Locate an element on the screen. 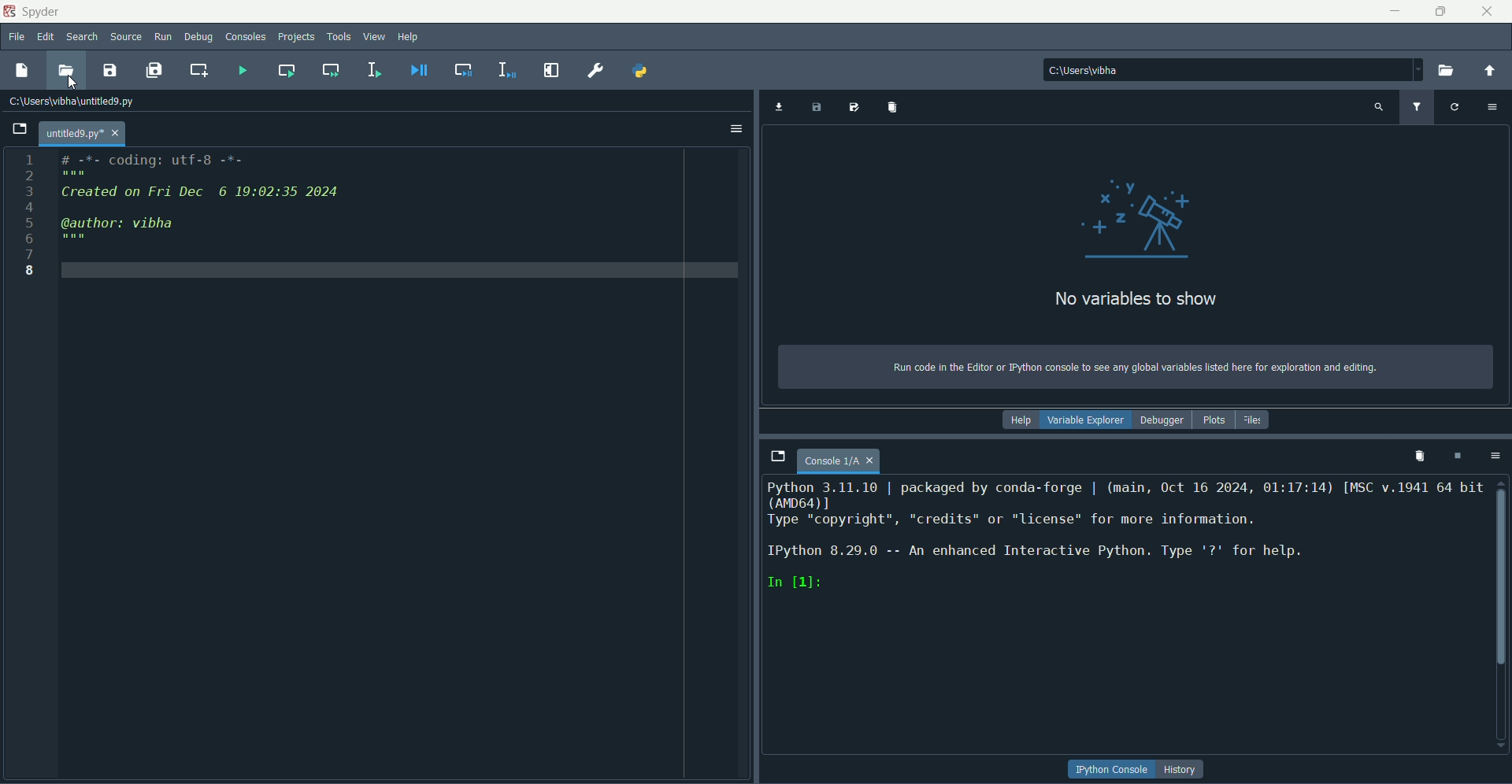  edit is located at coordinates (48, 38).